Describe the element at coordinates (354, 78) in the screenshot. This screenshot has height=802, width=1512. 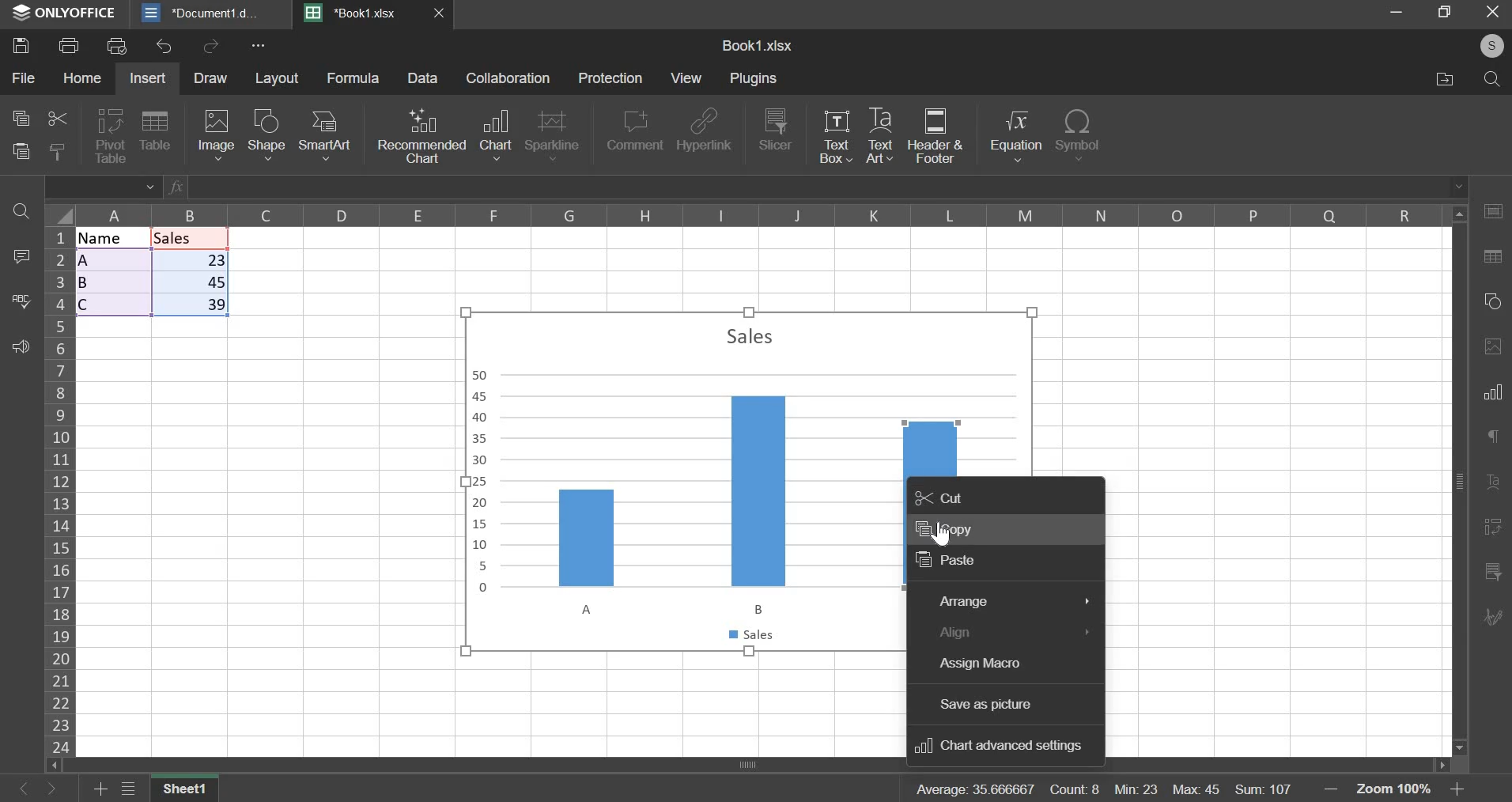
I see `formula` at that location.